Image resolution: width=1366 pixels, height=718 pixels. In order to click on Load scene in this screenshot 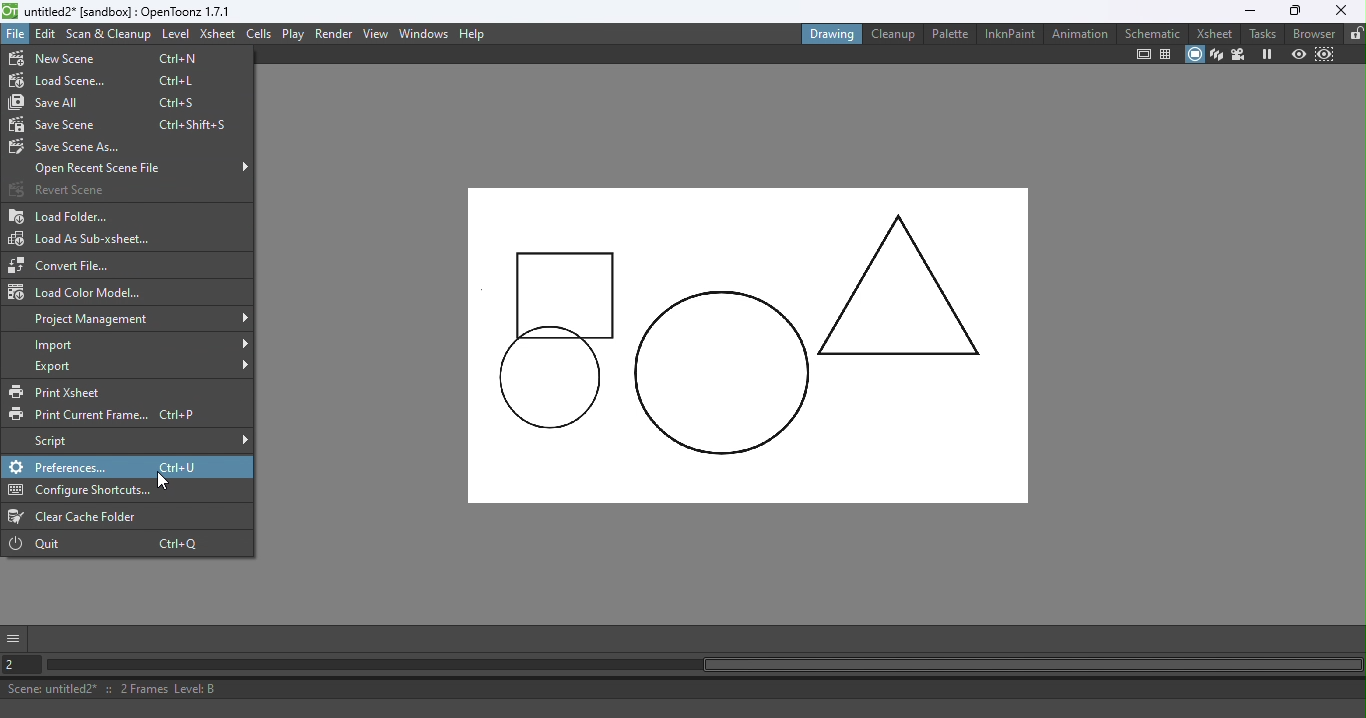, I will do `click(105, 80)`.